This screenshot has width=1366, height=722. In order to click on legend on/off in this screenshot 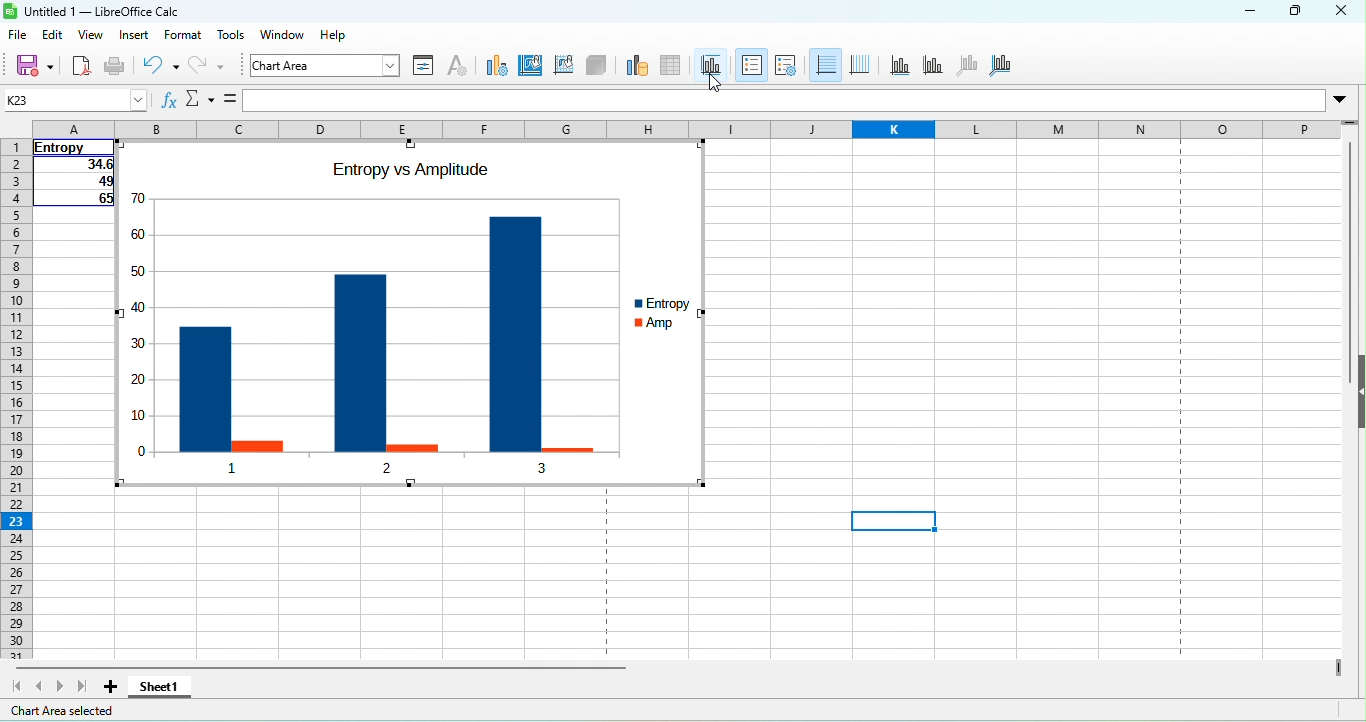, I will do `click(752, 65)`.